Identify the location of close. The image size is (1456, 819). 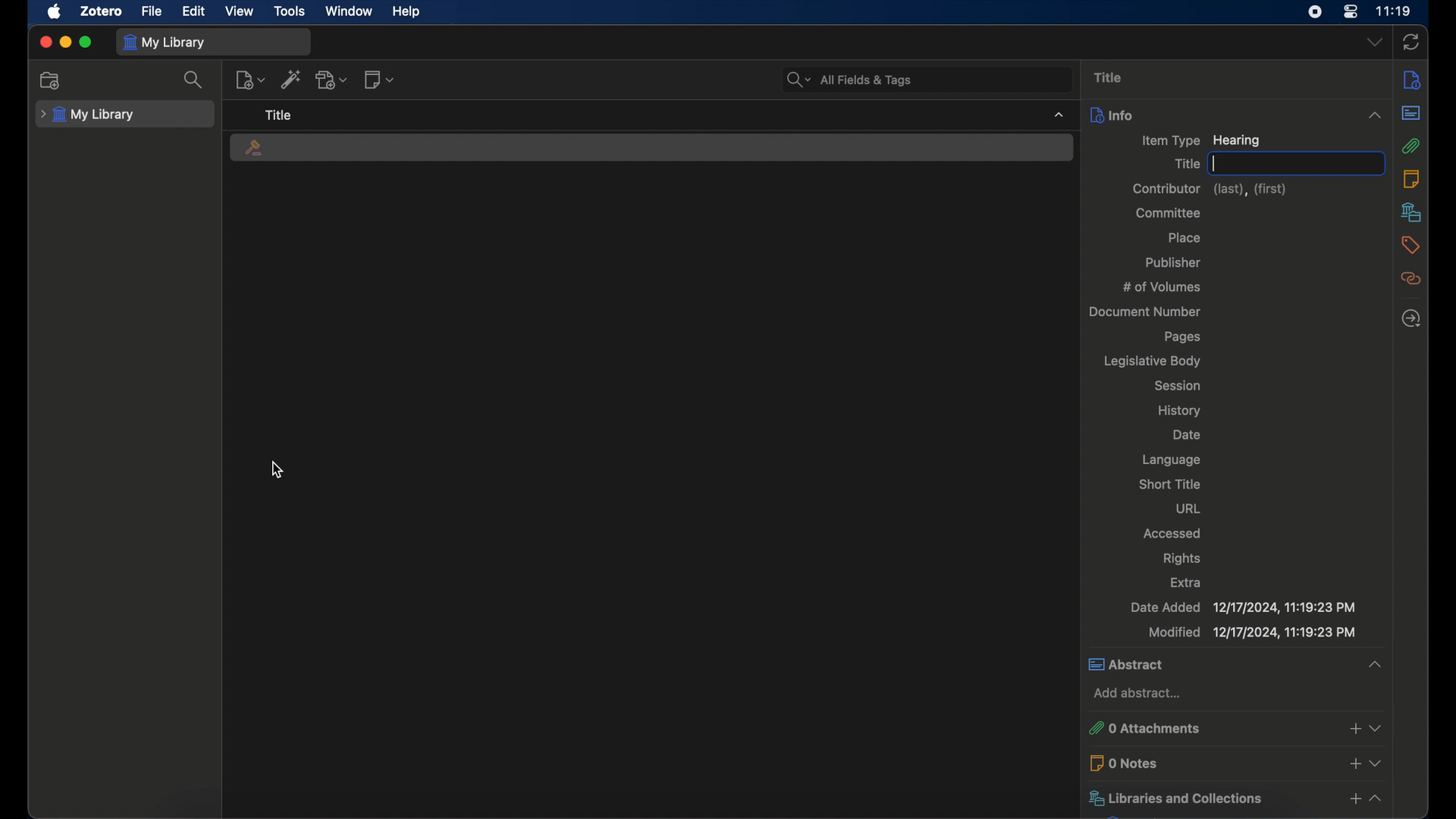
(45, 42).